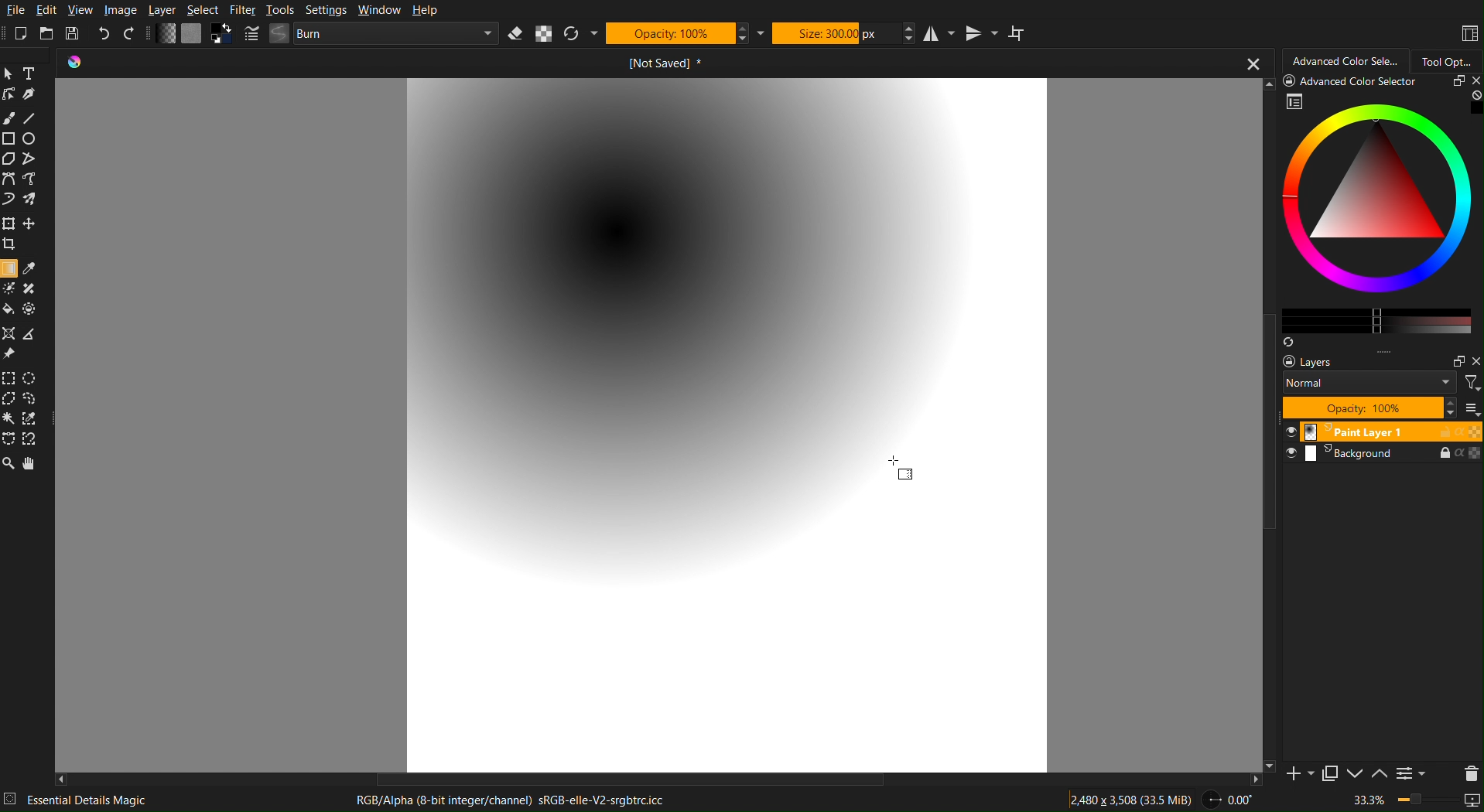  Describe the element at coordinates (48, 34) in the screenshot. I see `Open` at that location.